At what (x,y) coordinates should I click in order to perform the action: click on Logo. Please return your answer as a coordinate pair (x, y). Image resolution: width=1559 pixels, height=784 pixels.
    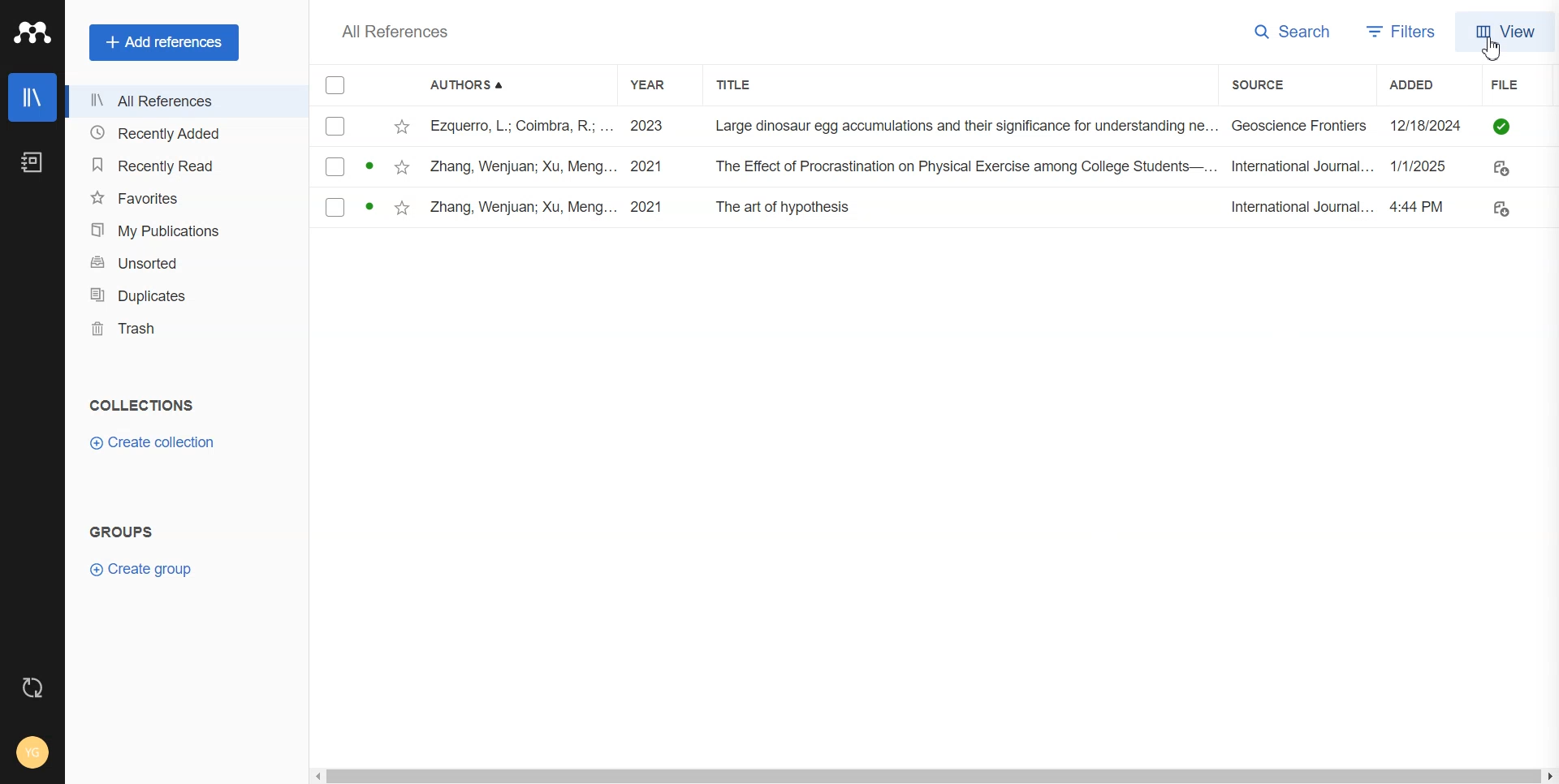
    Looking at the image, I should click on (32, 32).